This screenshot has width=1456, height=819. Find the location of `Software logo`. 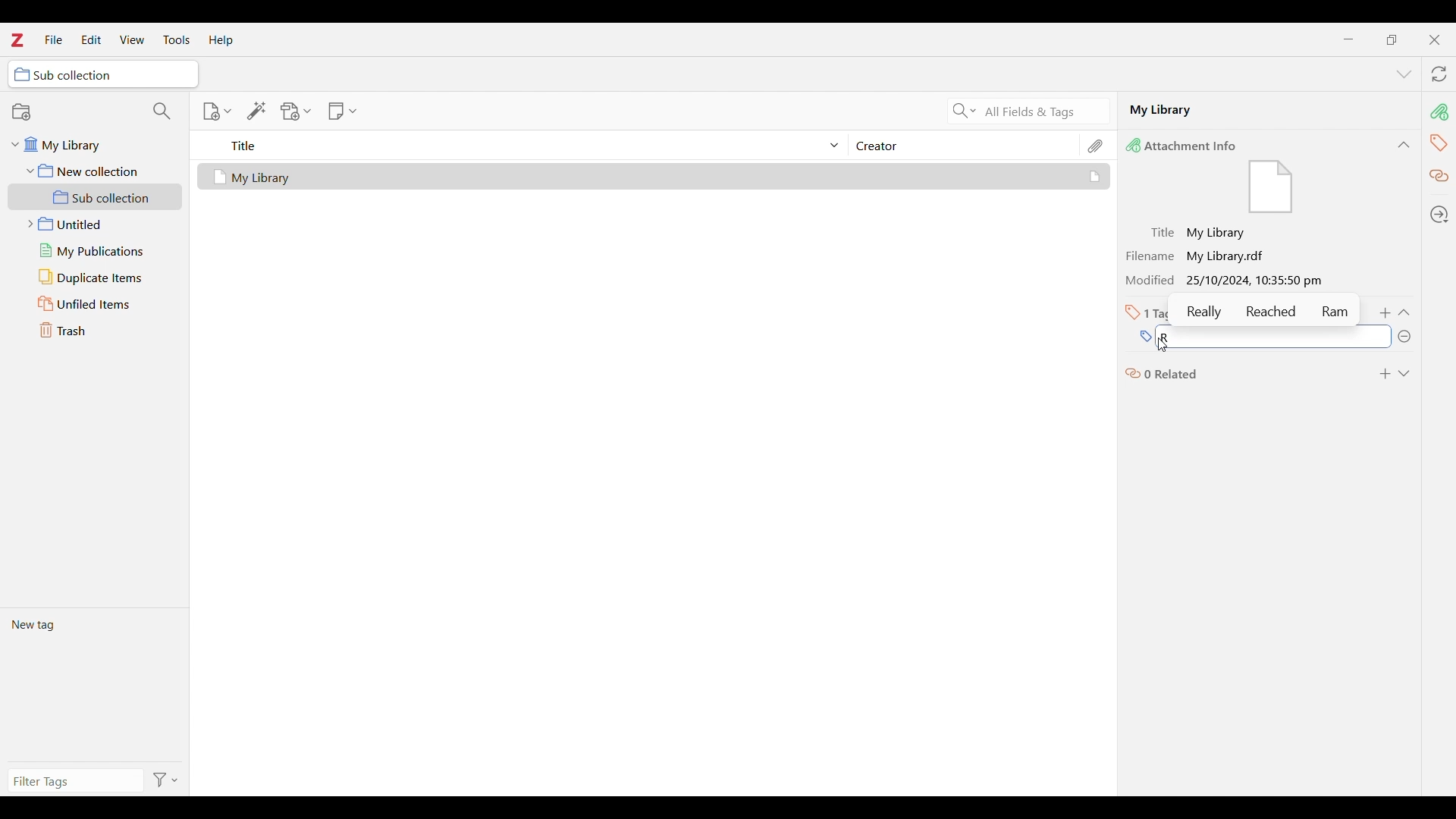

Software logo is located at coordinates (16, 39).